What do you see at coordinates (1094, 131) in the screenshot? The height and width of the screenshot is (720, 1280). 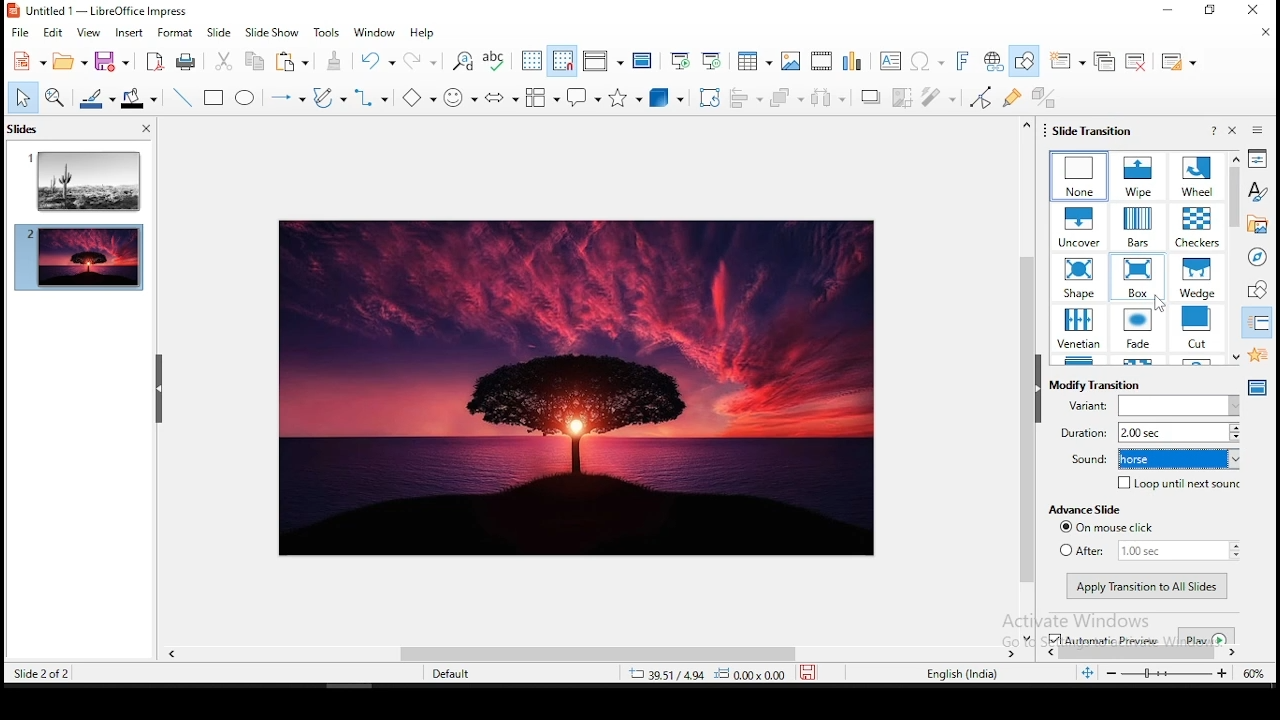 I see `slide transition` at bounding box center [1094, 131].